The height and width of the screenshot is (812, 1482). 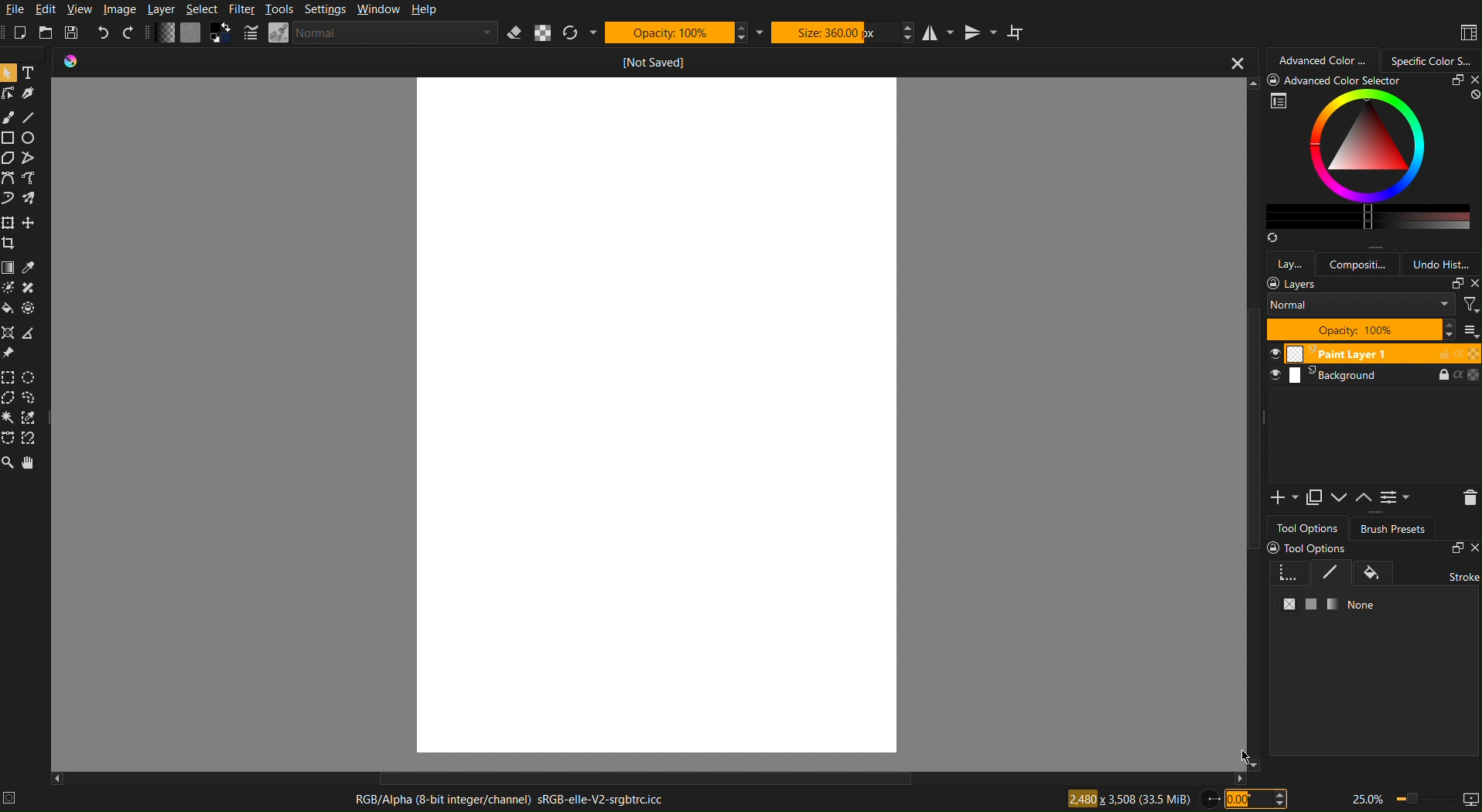 What do you see at coordinates (44, 32) in the screenshot?
I see `Open` at bounding box center [44, 32].